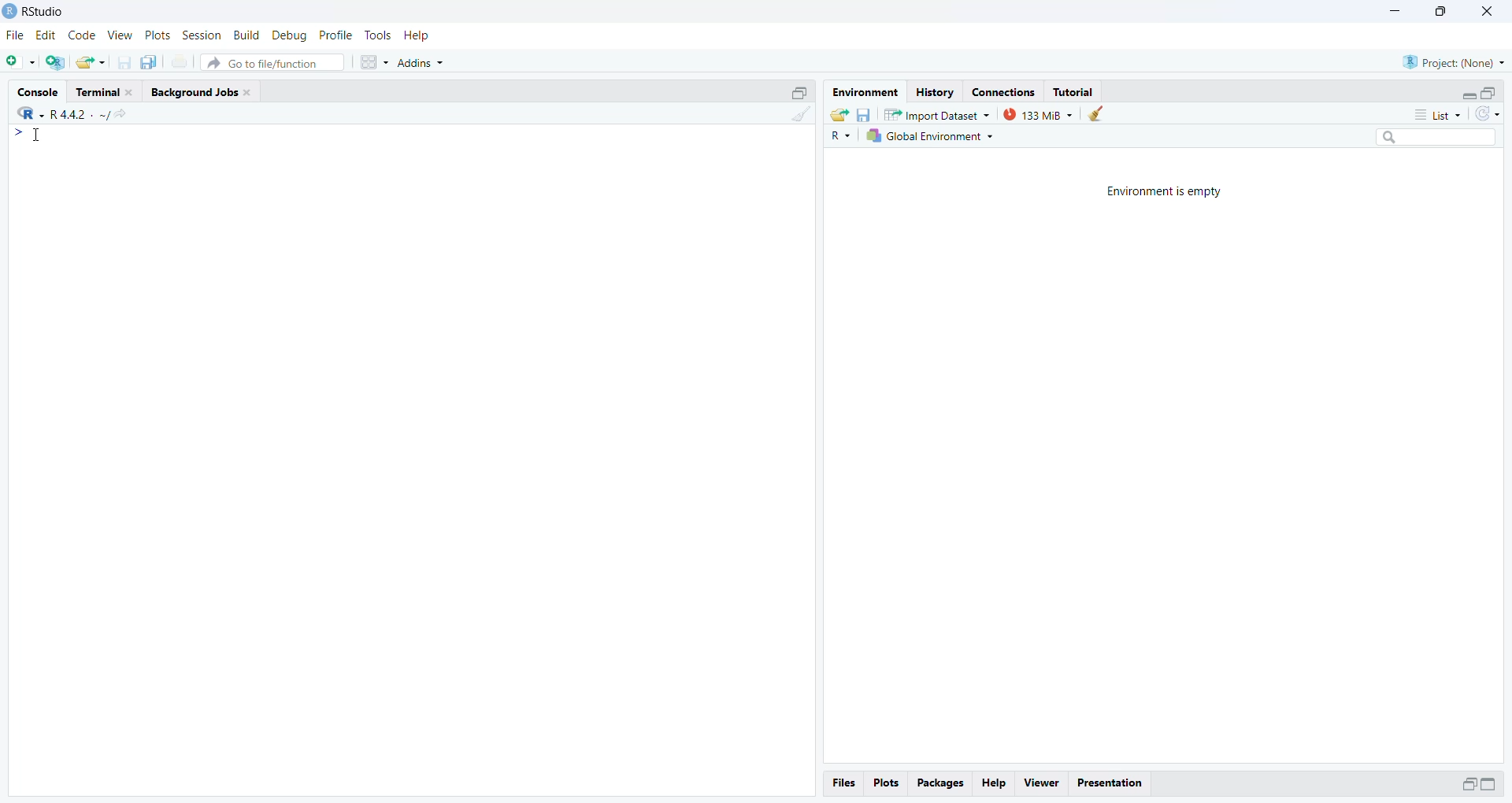  I want to click on Tutorial, so click(1072, 92).